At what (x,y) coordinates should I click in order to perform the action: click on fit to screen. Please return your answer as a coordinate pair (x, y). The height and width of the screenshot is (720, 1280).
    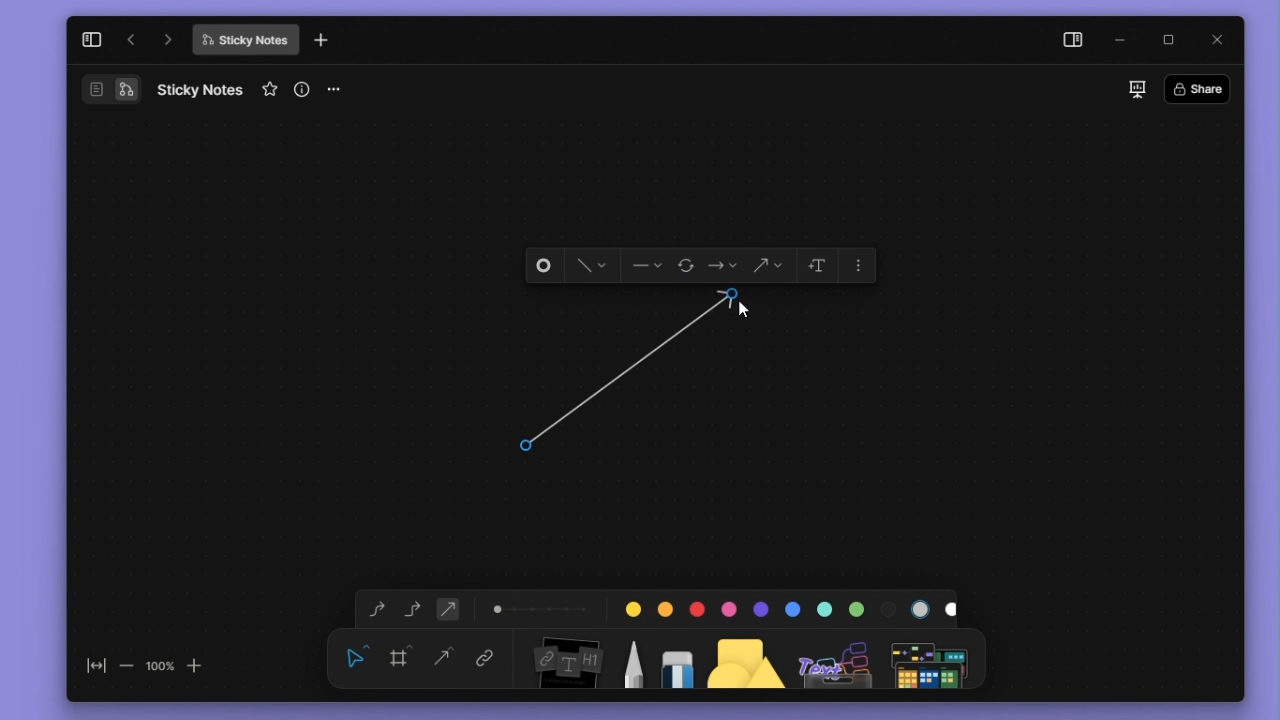
    Looking at the image, I should click on (90, 670).